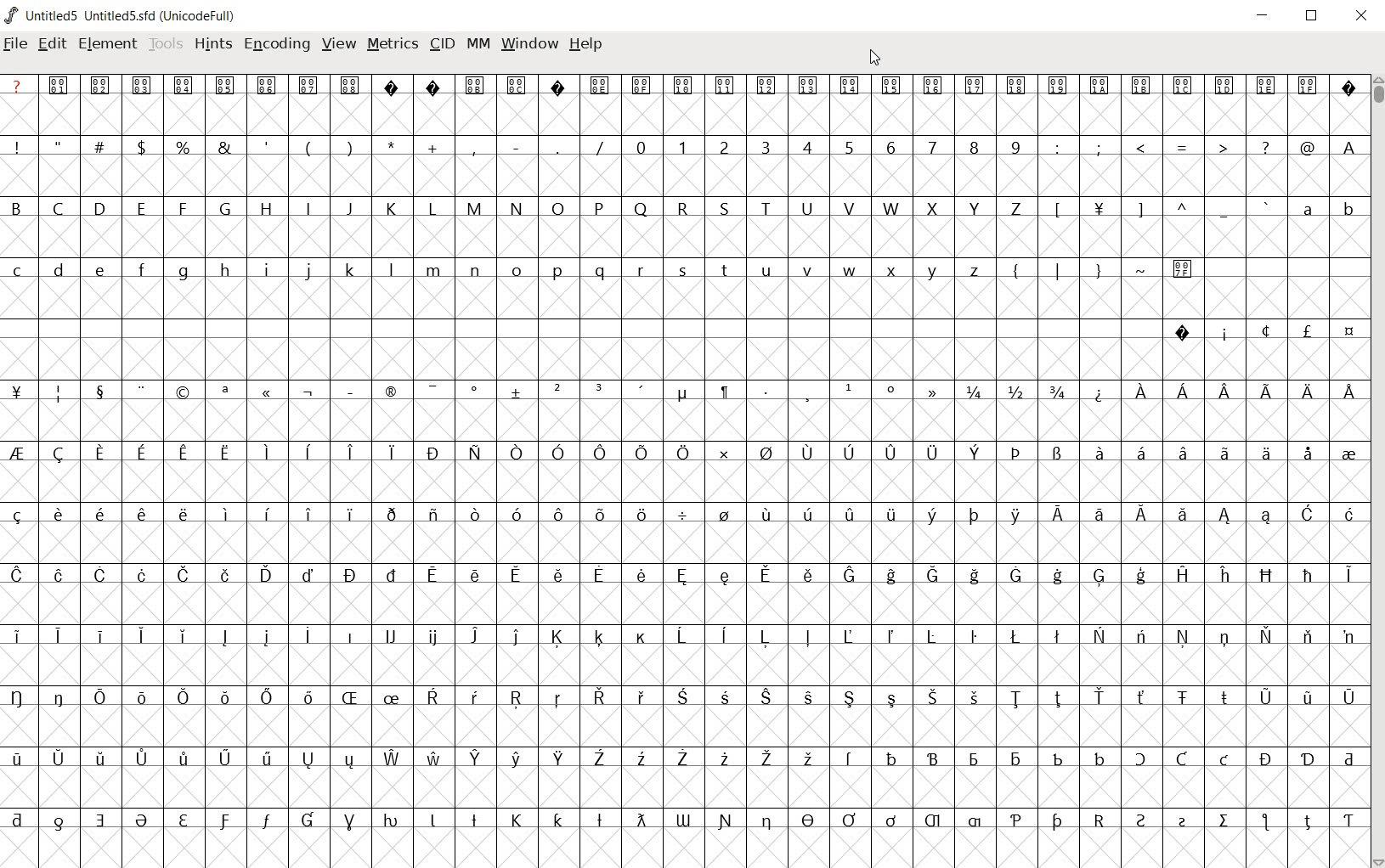 This screenshot has width=1385, height=868. What do you see at coordinates (1225, 760) in the screenshot?
I see `Symbol` at bounding box center [1225, 760].